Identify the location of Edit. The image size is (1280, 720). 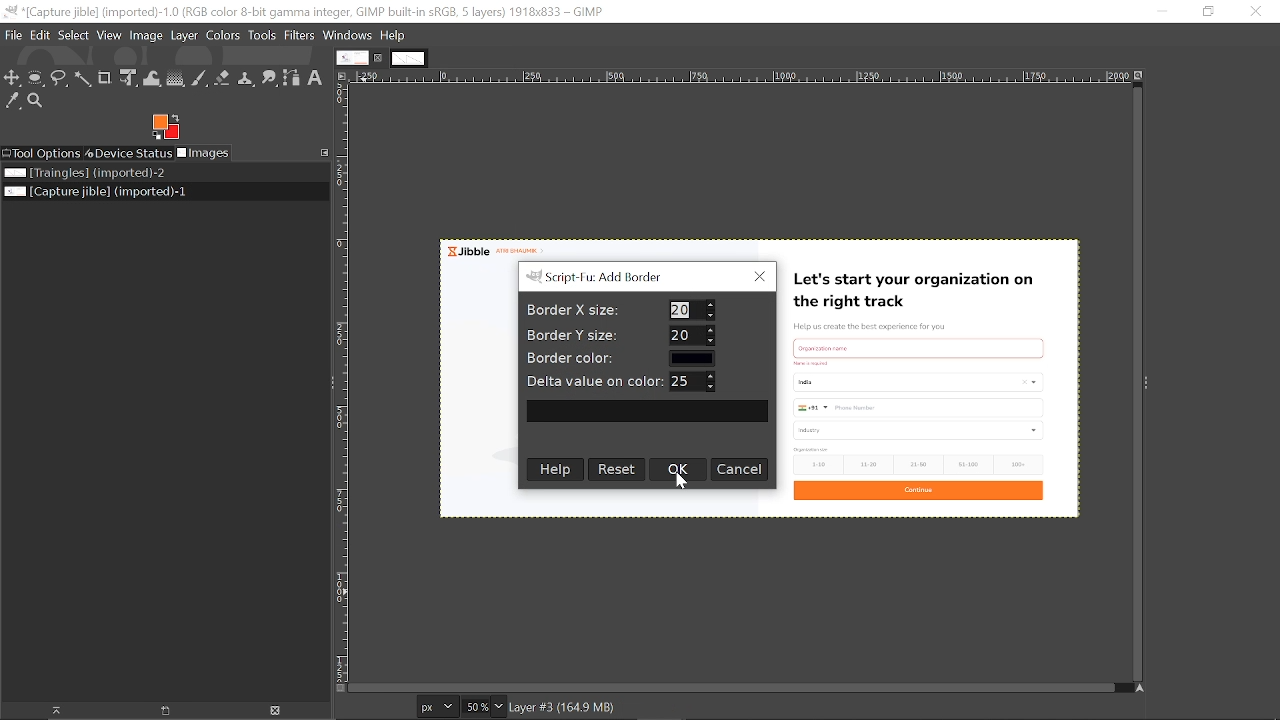
(40, 35).